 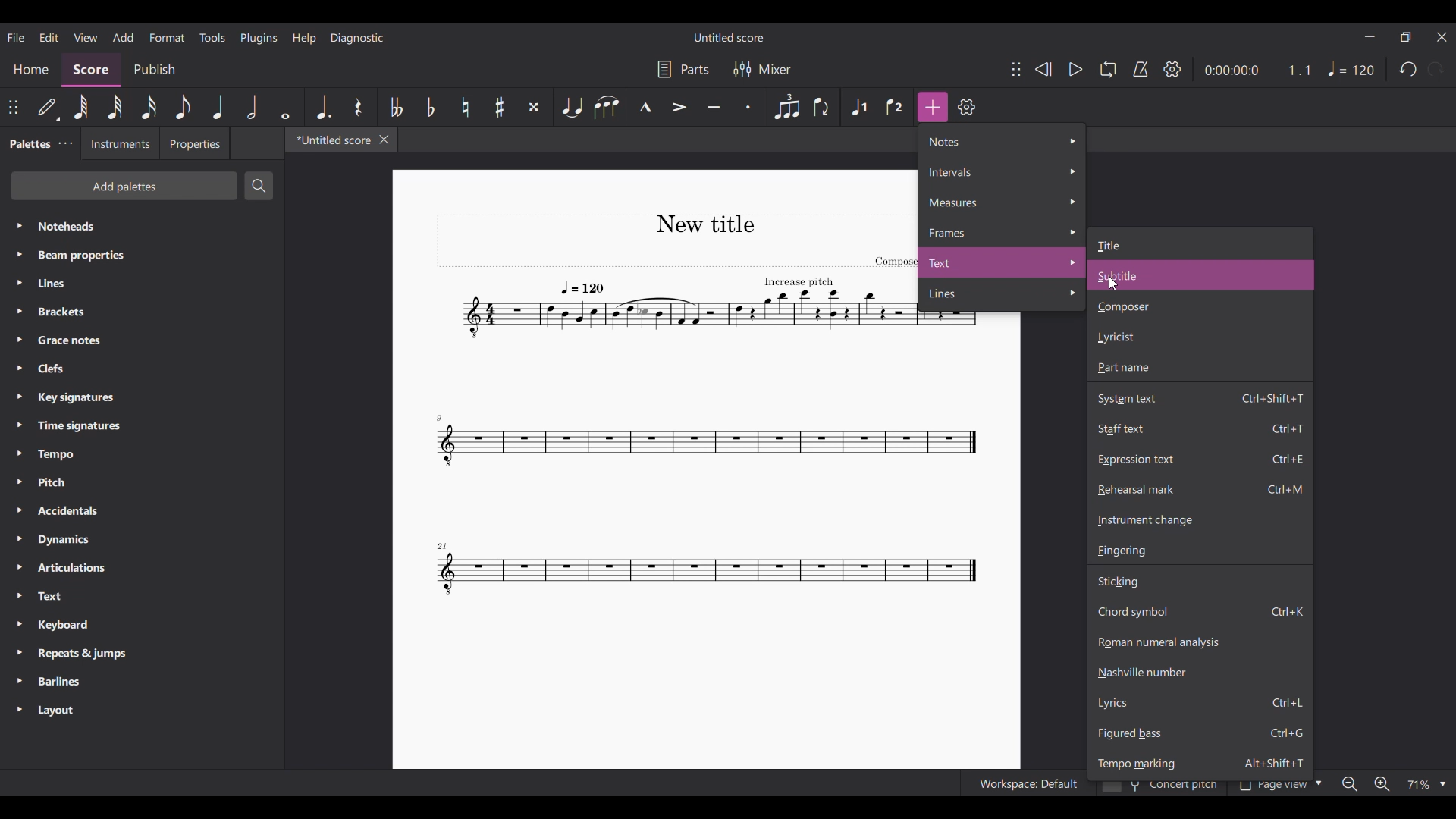 What do you see at coordinates (1349, 783) in the screenshot?
I see `Zoom out` at bounding box center [1349, 783].